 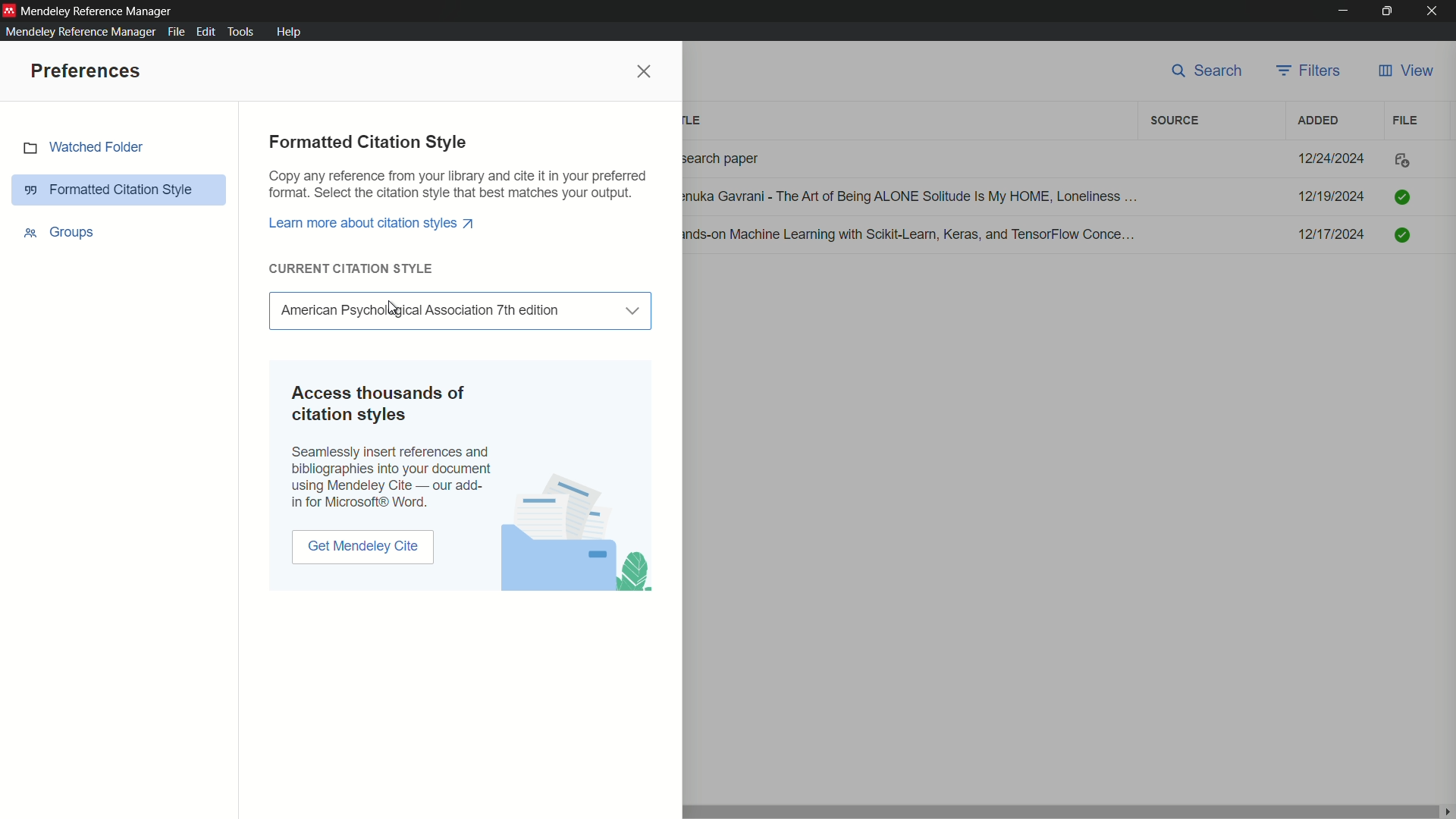 I want to click on added, so click(x=1316, y=120).